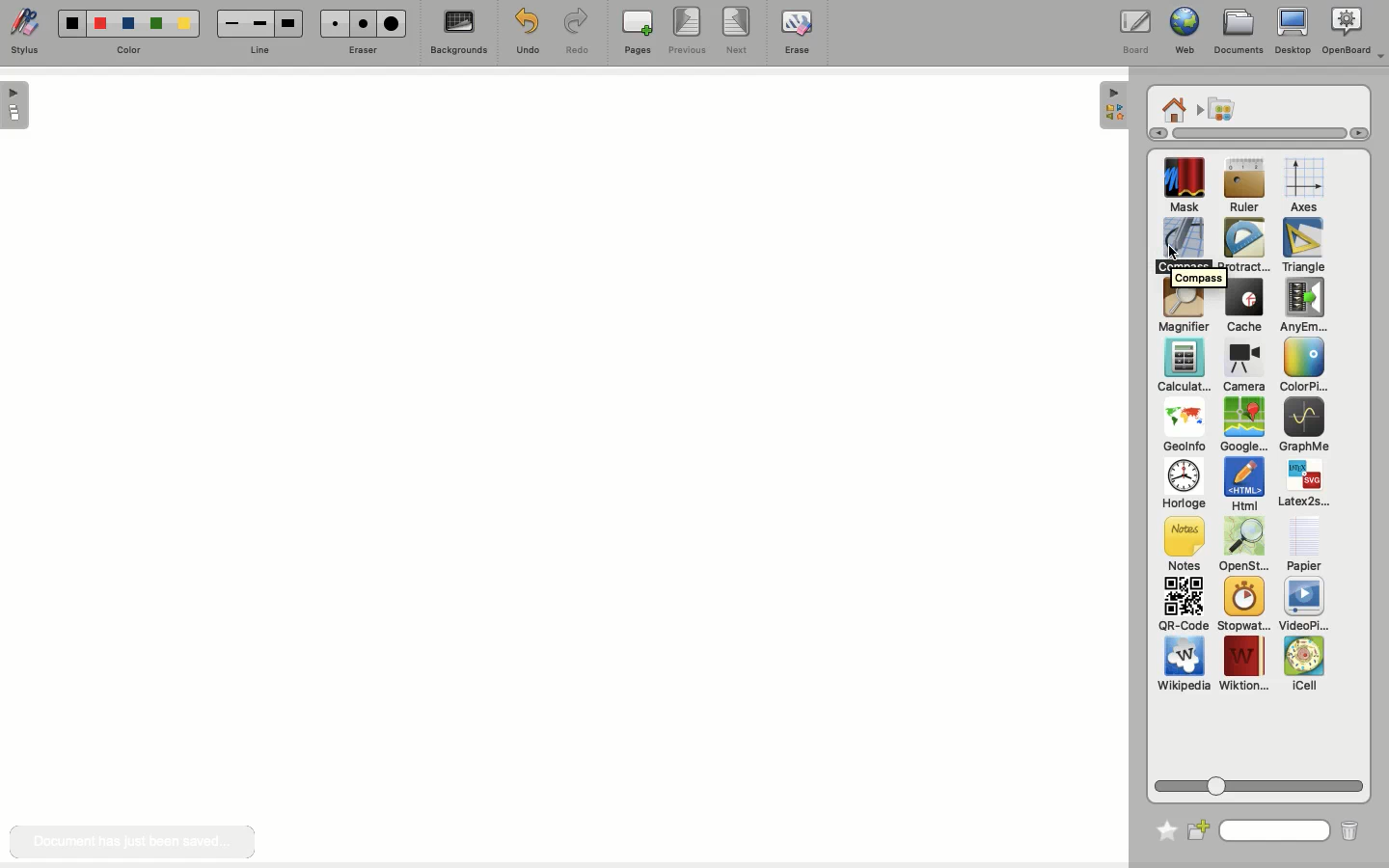 This screenshot has height=868, width=1389. Describe the element at coordinates (1353, 32) in the screenshot. I see `OpenBoard` at that location.